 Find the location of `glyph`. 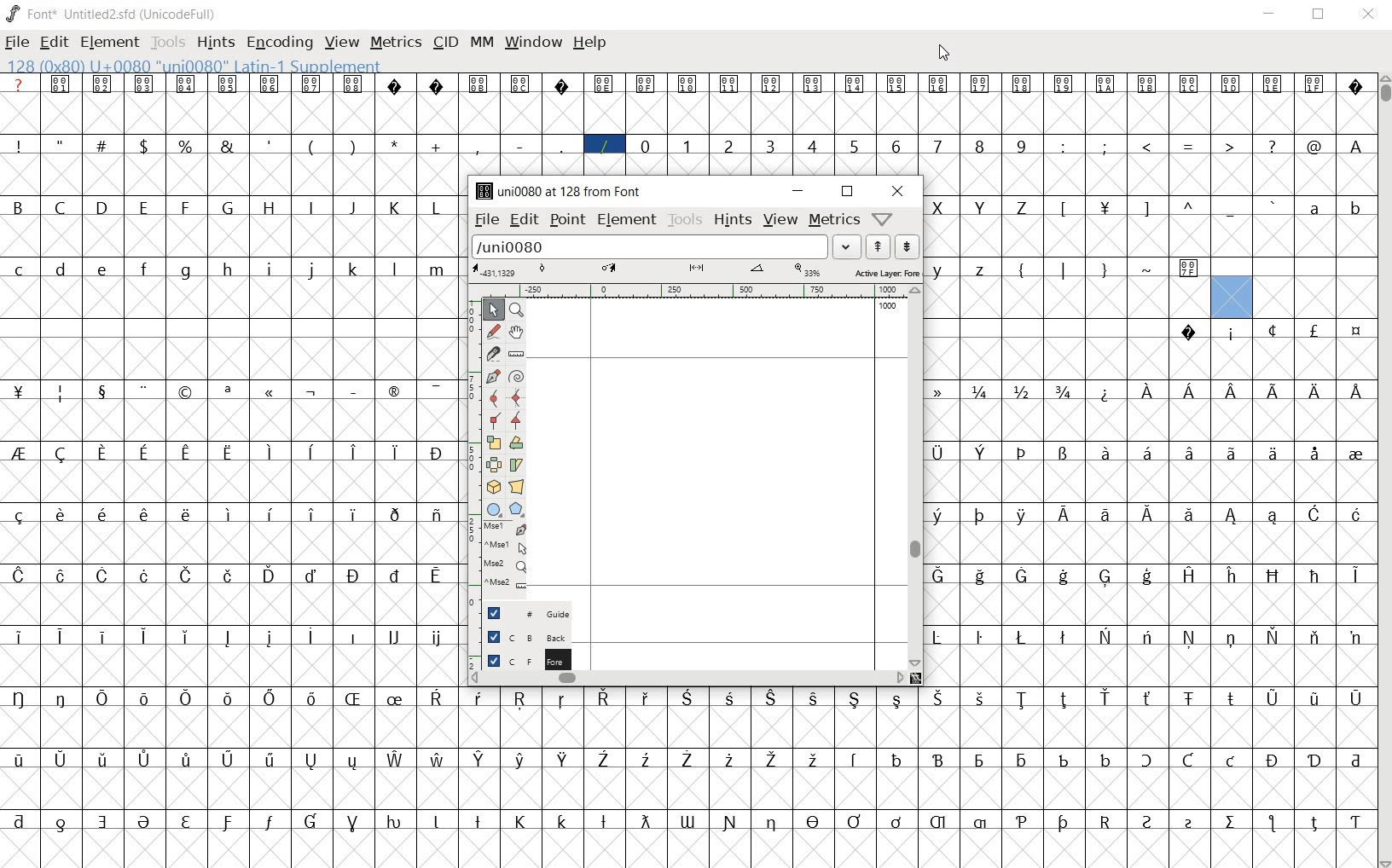

glyph is located at coordinates (1105, 515).